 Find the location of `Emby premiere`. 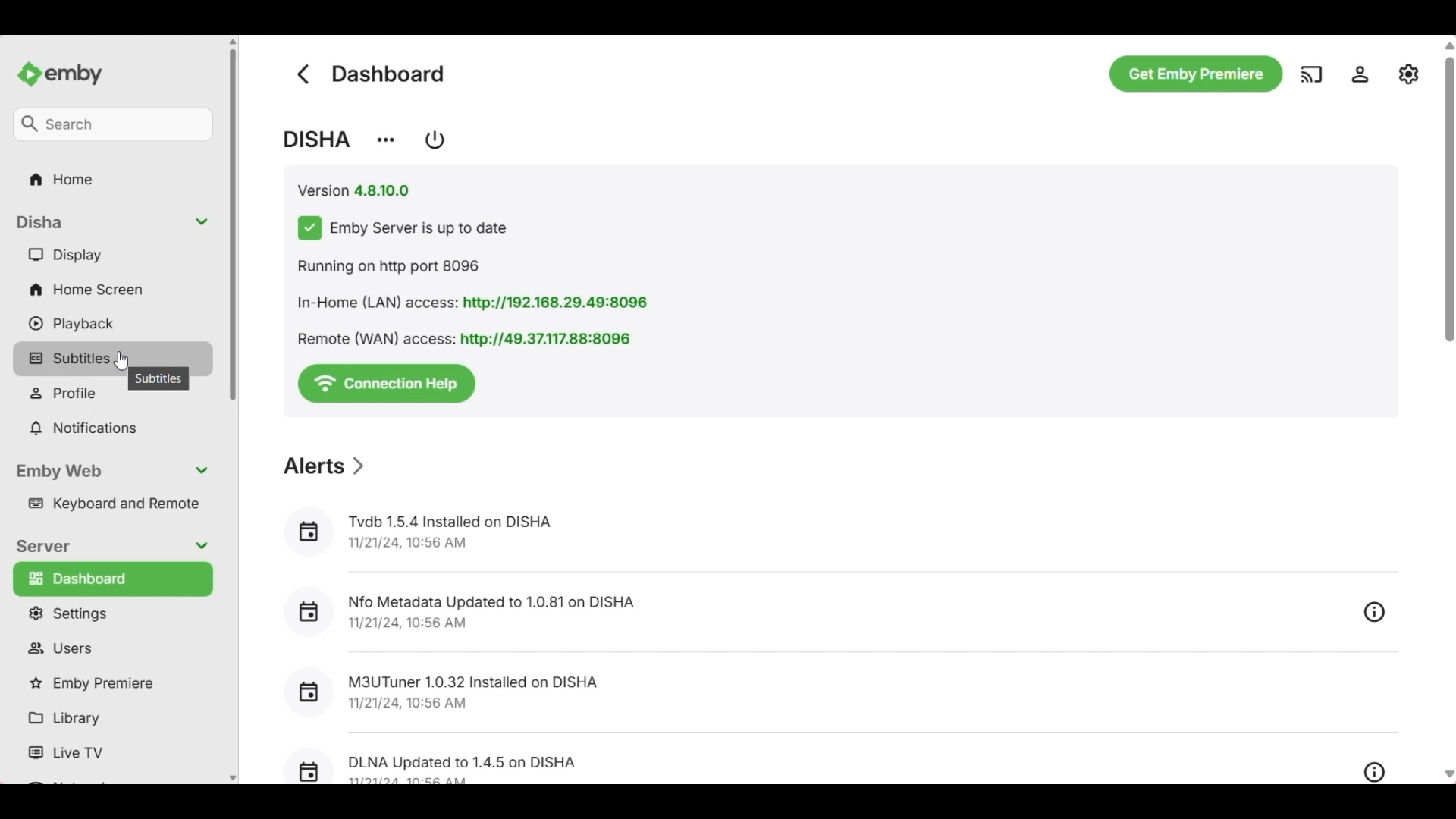

Emby premiere is located at coordinates (115, 684).